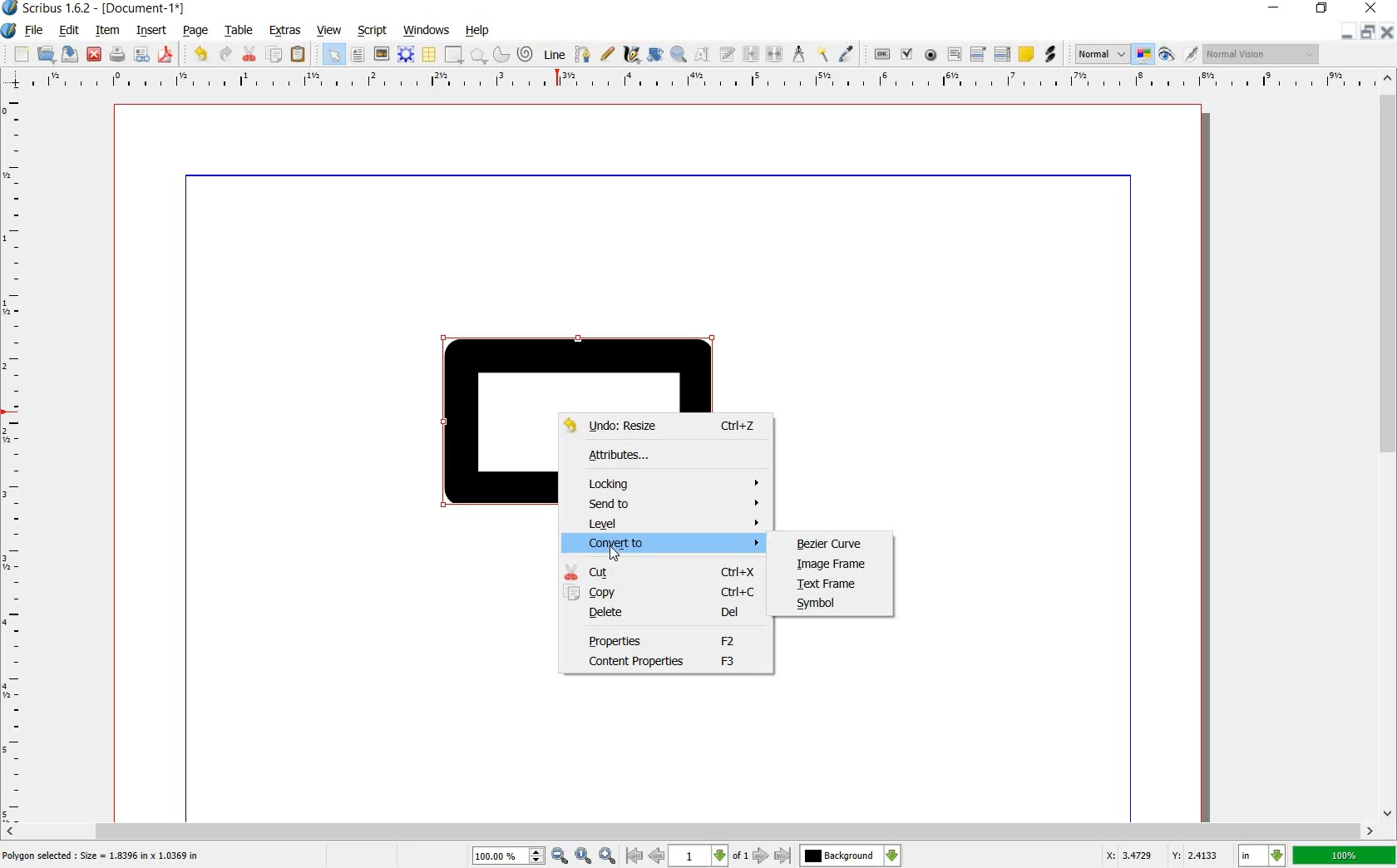 The height and width of the screenshot is (868, 1397). I want to click on Polygon selected:Size=1.8396 in * 1.0369 in, so click(109, 856).